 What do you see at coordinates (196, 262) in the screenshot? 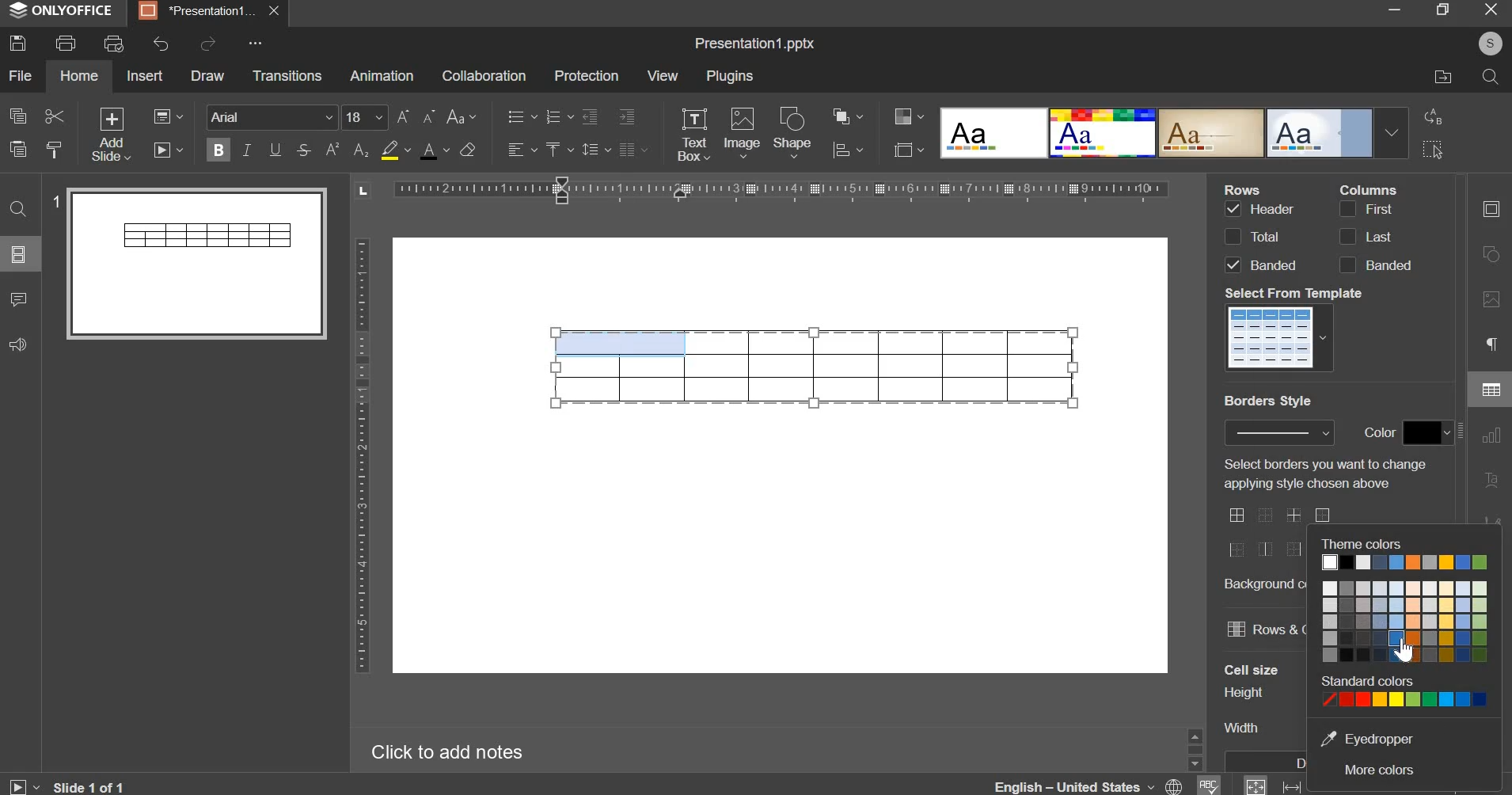
I see `slide preview` at bounding box center [196, 262].